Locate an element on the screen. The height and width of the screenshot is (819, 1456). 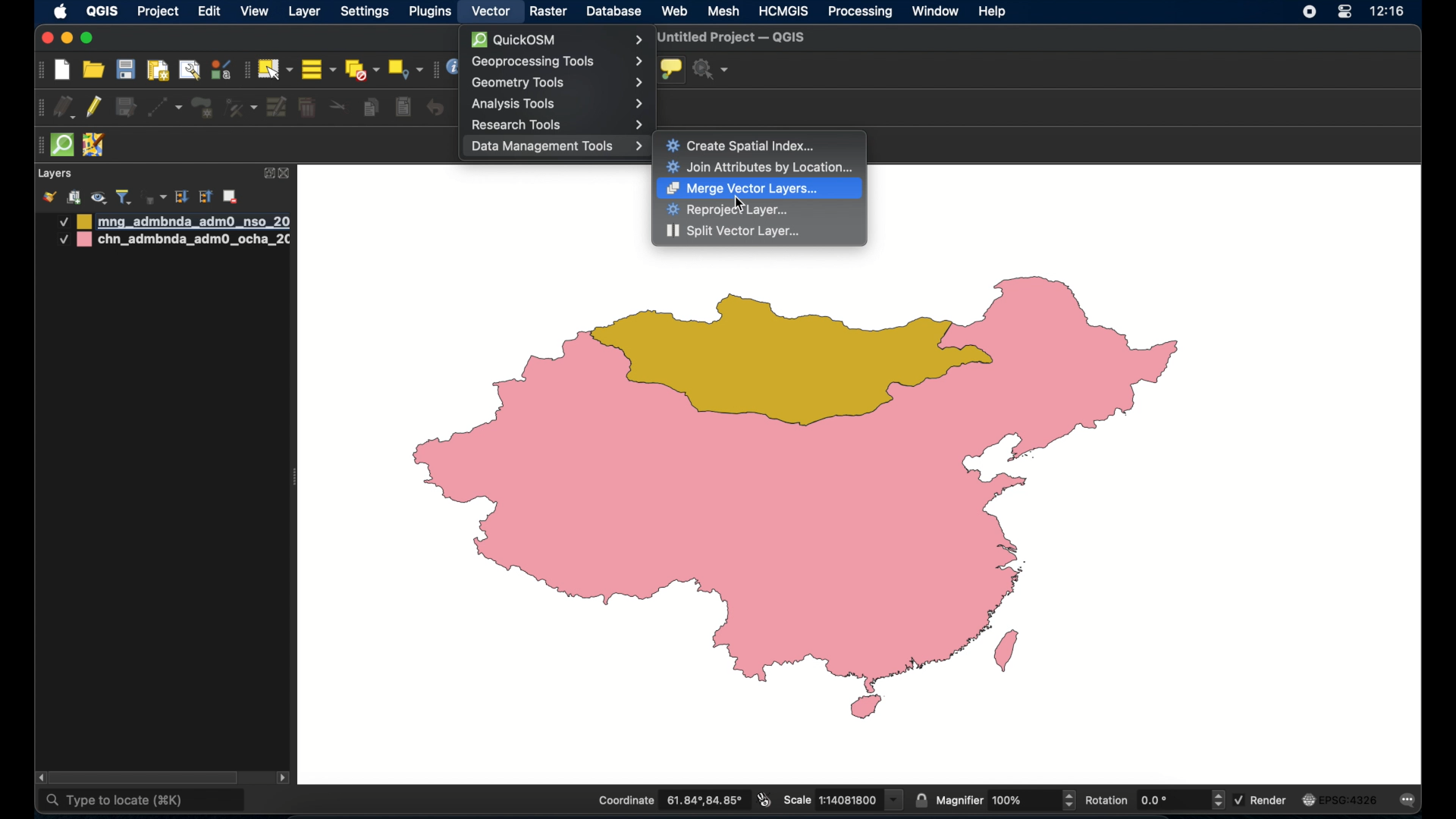
vertex tool is located at coordinates (240, 106).